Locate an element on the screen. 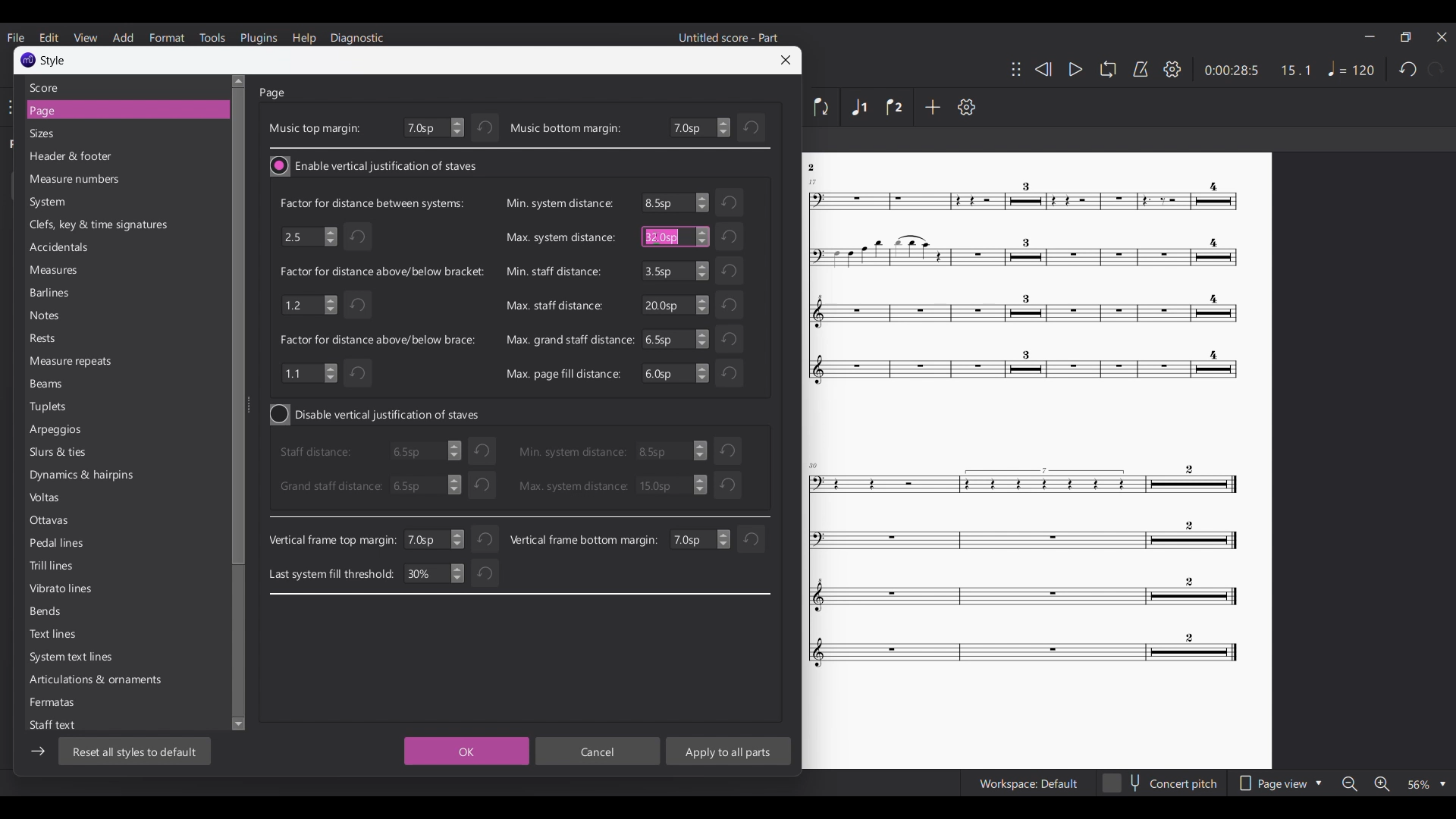  Voice 1 is located at coordinates (858, 107).